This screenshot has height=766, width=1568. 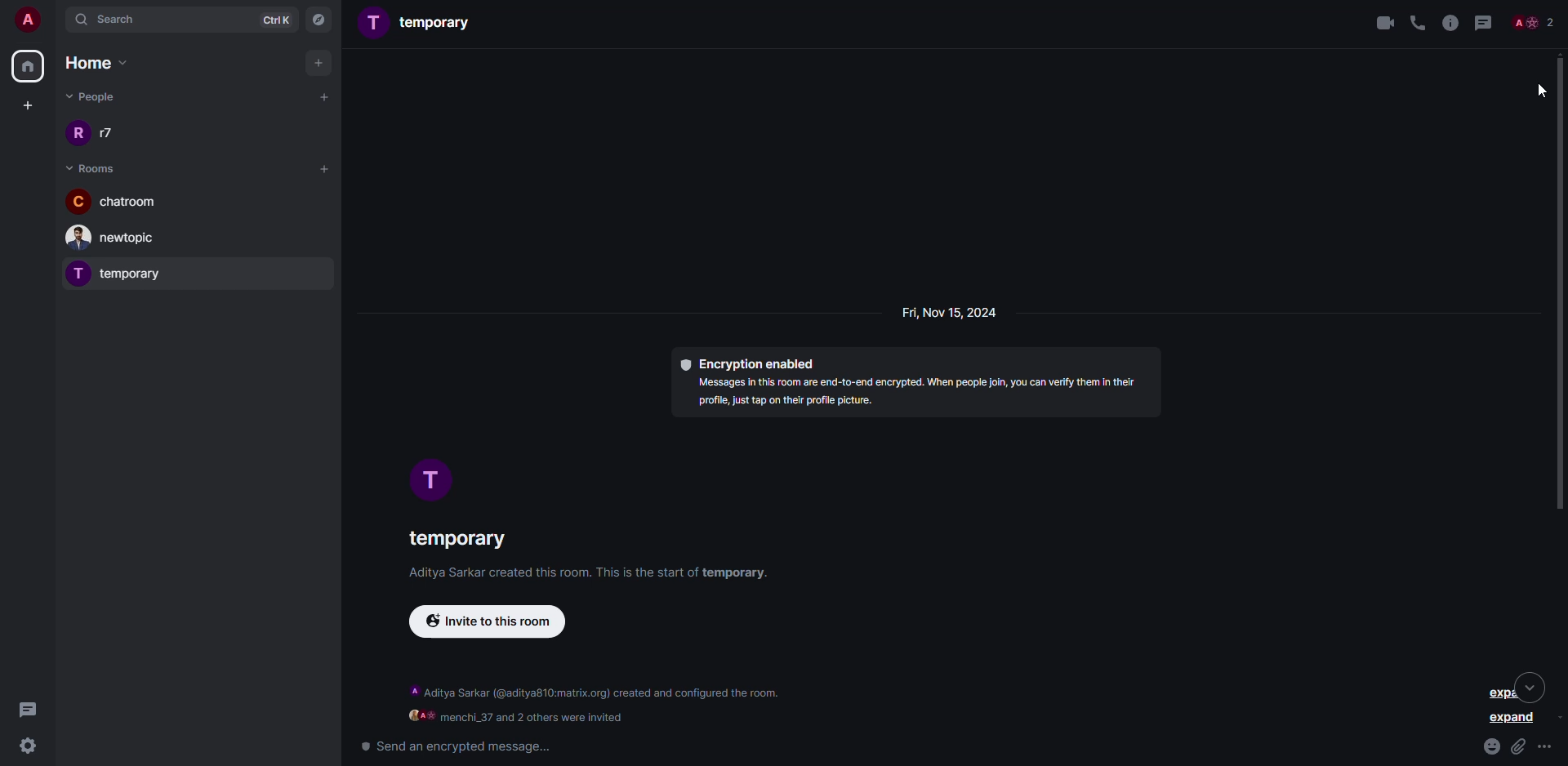 I want to click on ctrlK, so click(x=275, y=19).